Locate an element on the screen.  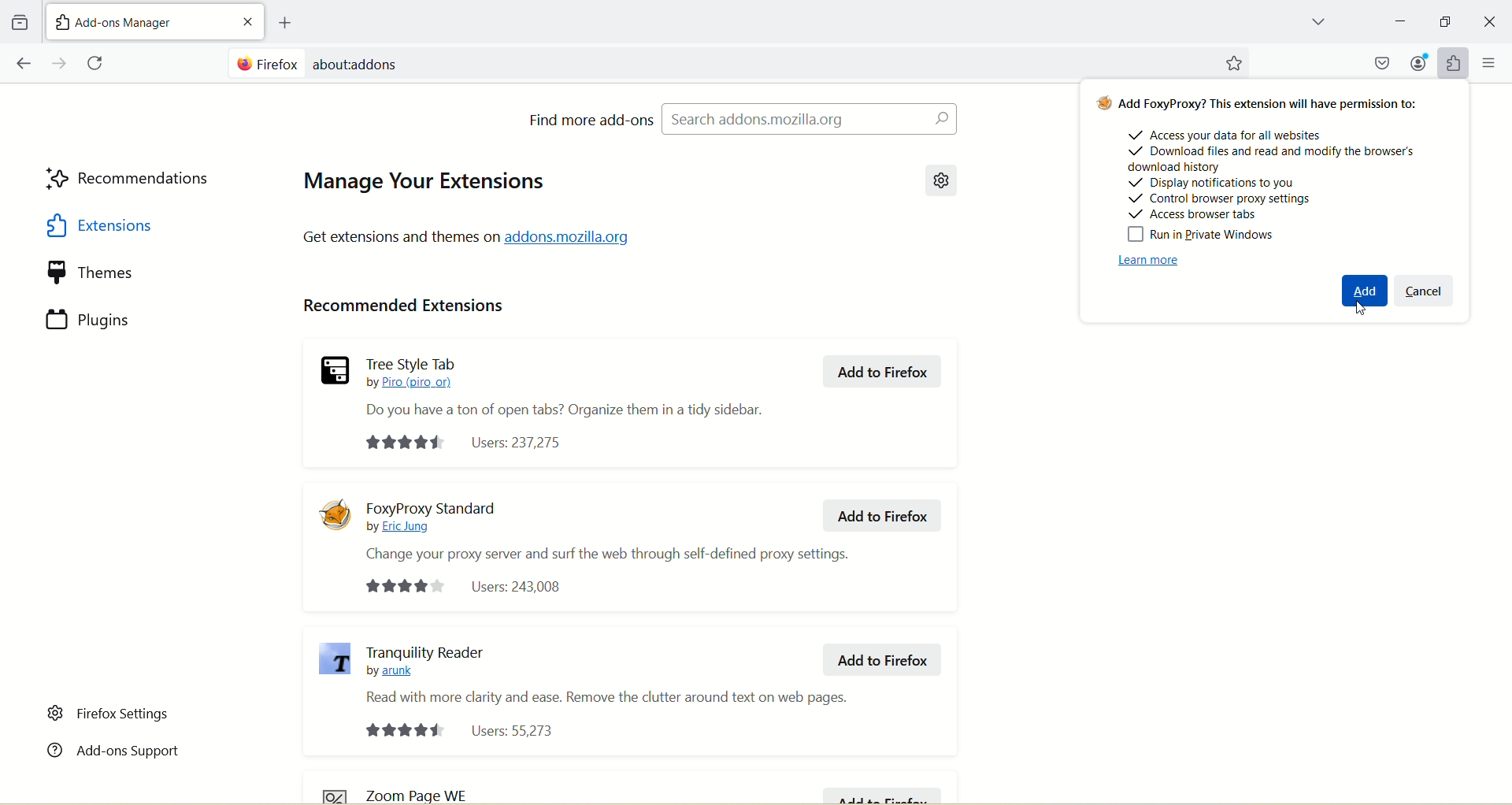
Foxypoxy Logo is located at coordinates (338, 514).